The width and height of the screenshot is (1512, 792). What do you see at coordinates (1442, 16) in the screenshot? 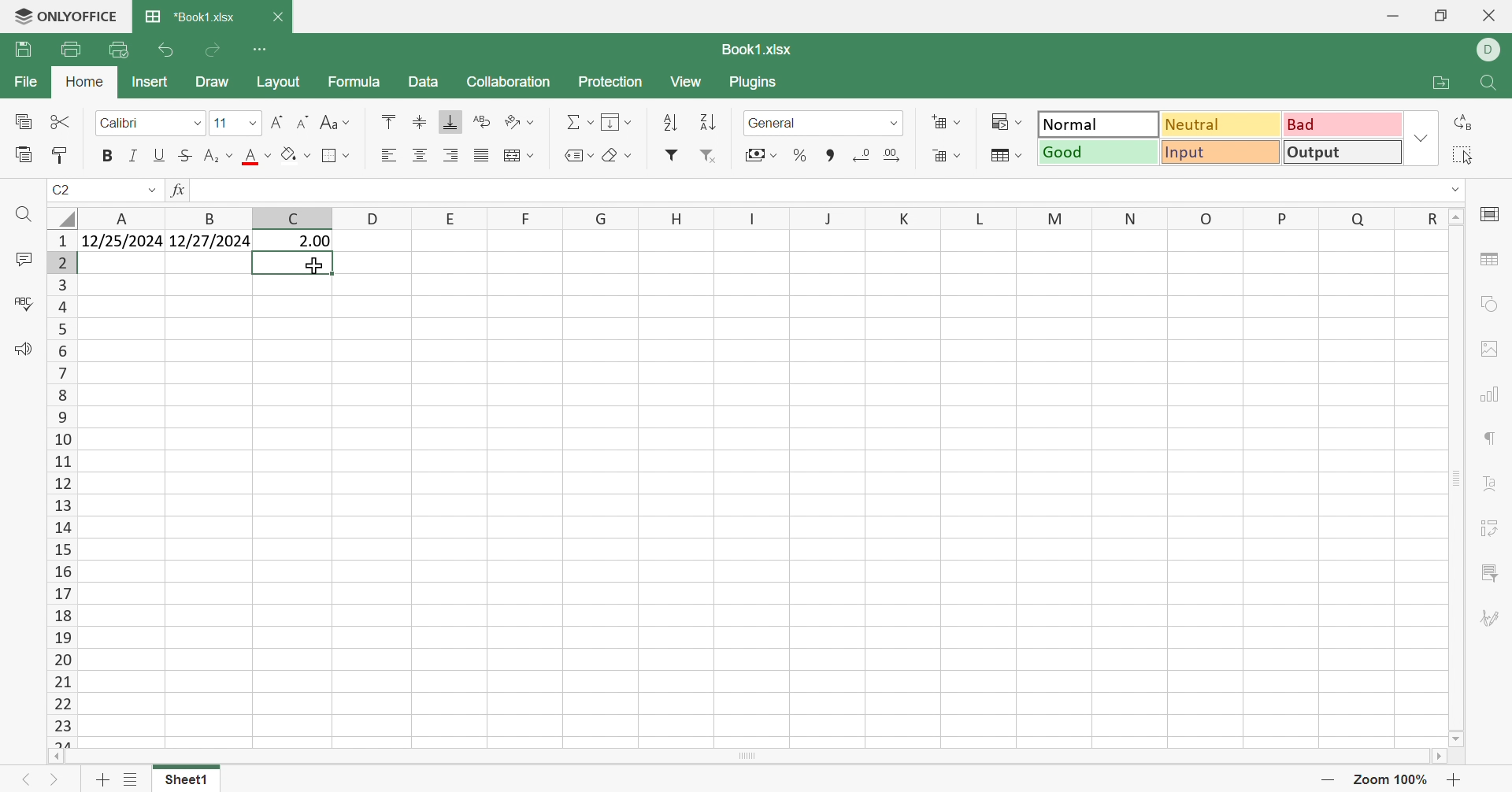
I see `Restore Down` at bounding box center [1442, 16].